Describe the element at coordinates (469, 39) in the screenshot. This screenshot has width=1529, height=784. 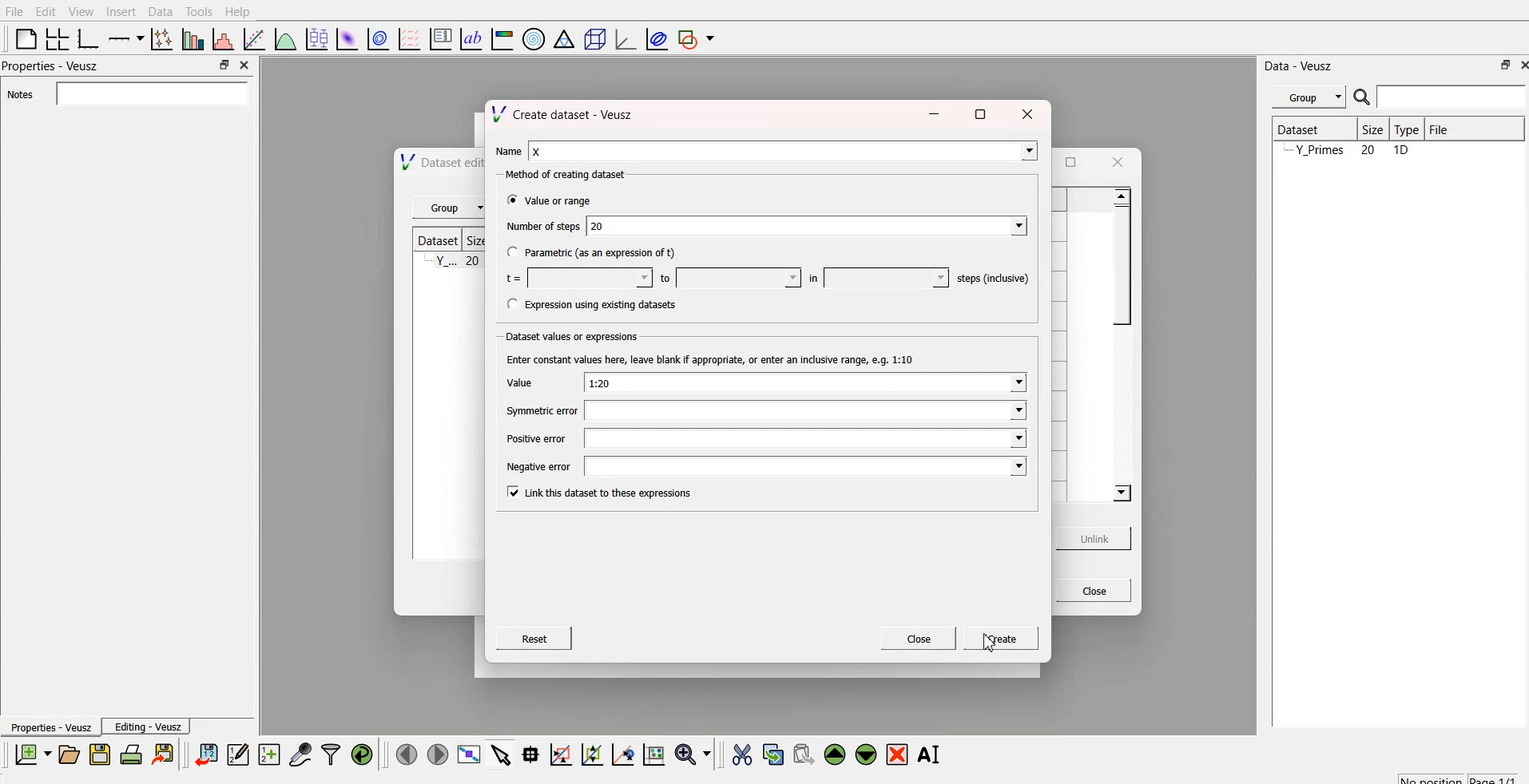
I see `text label` at that location.